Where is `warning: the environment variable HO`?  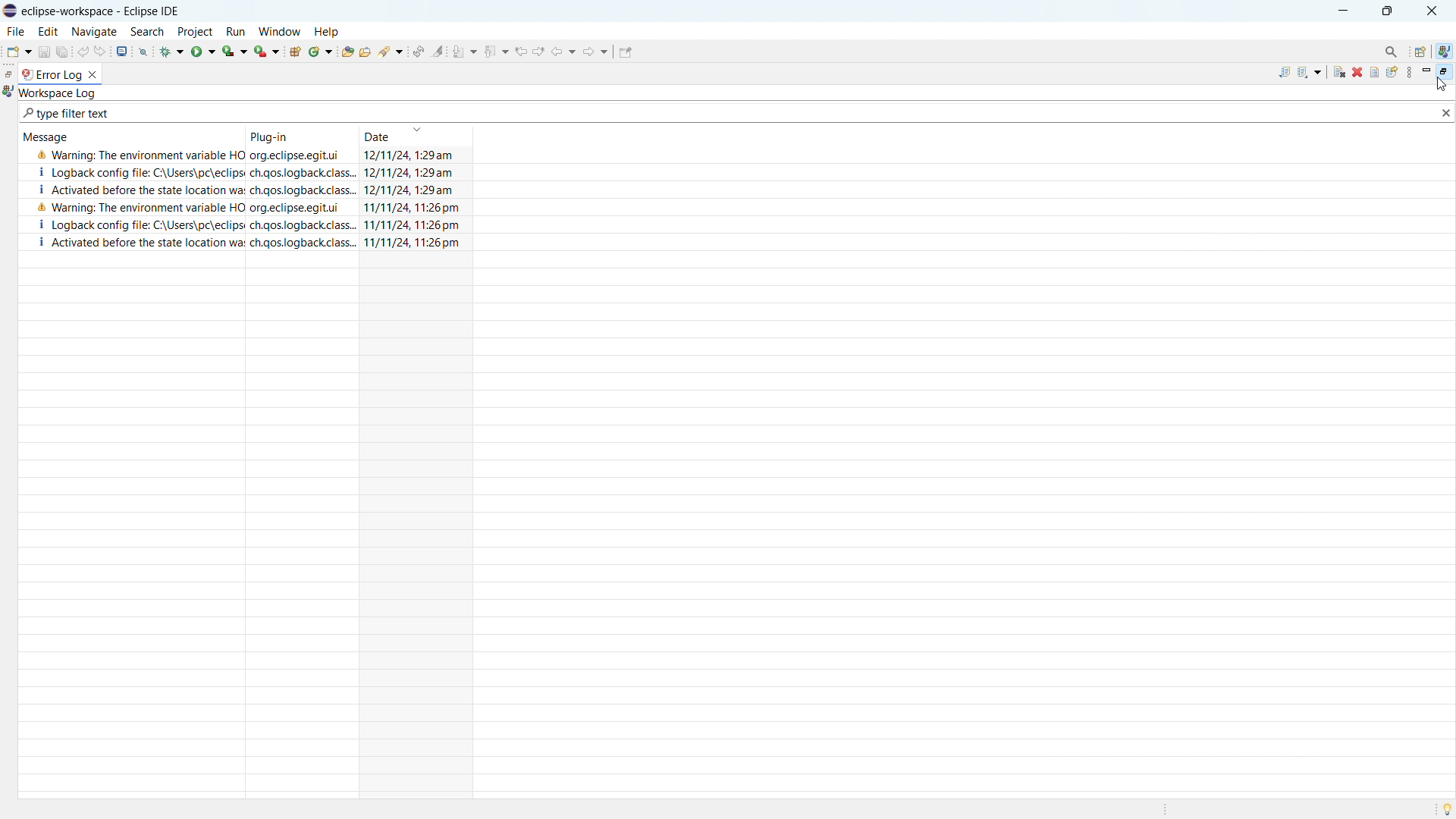 warning: the environment variable HO is located at coordinates (140, 155).